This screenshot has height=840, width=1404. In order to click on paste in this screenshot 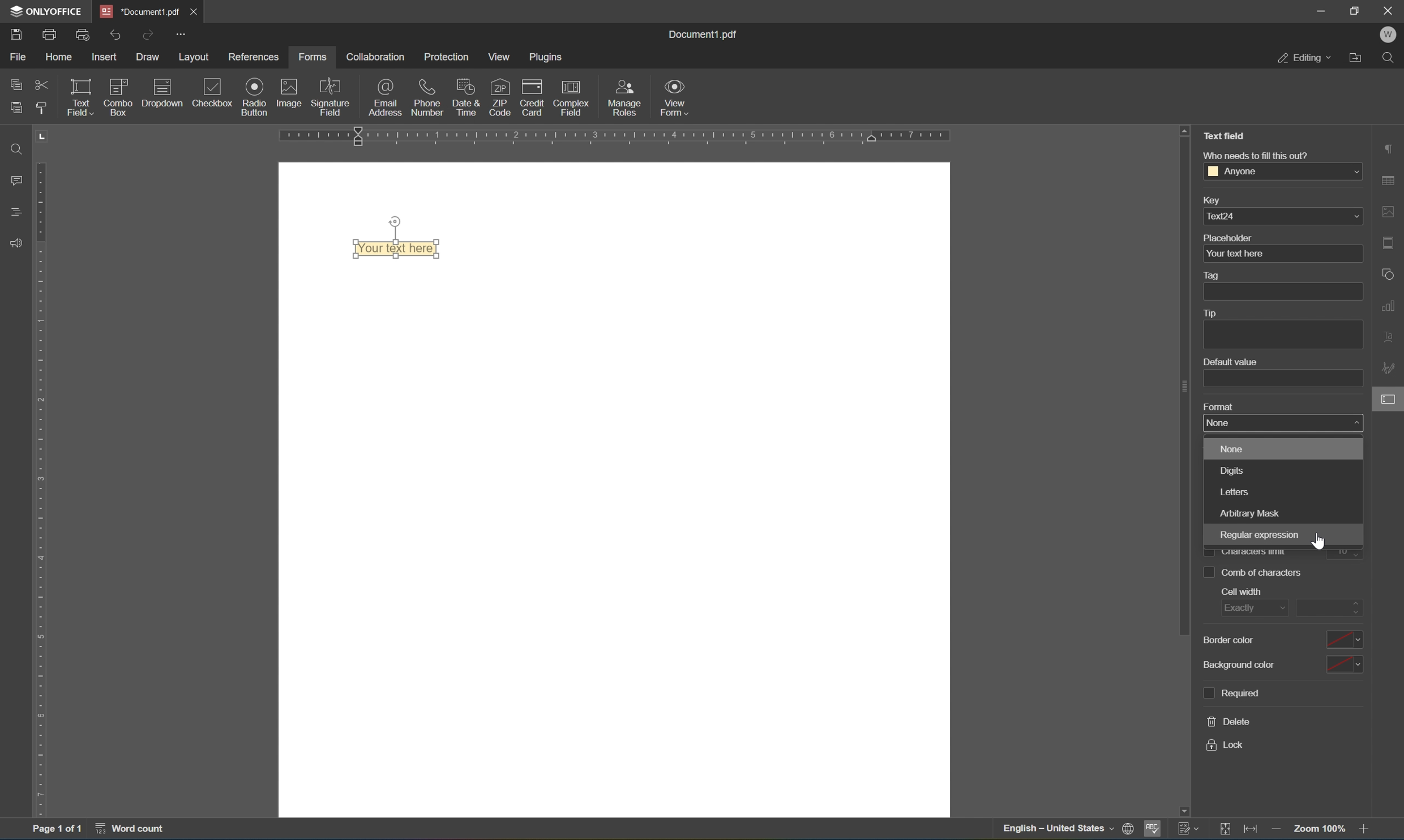, I will do `click(16, 105)`.